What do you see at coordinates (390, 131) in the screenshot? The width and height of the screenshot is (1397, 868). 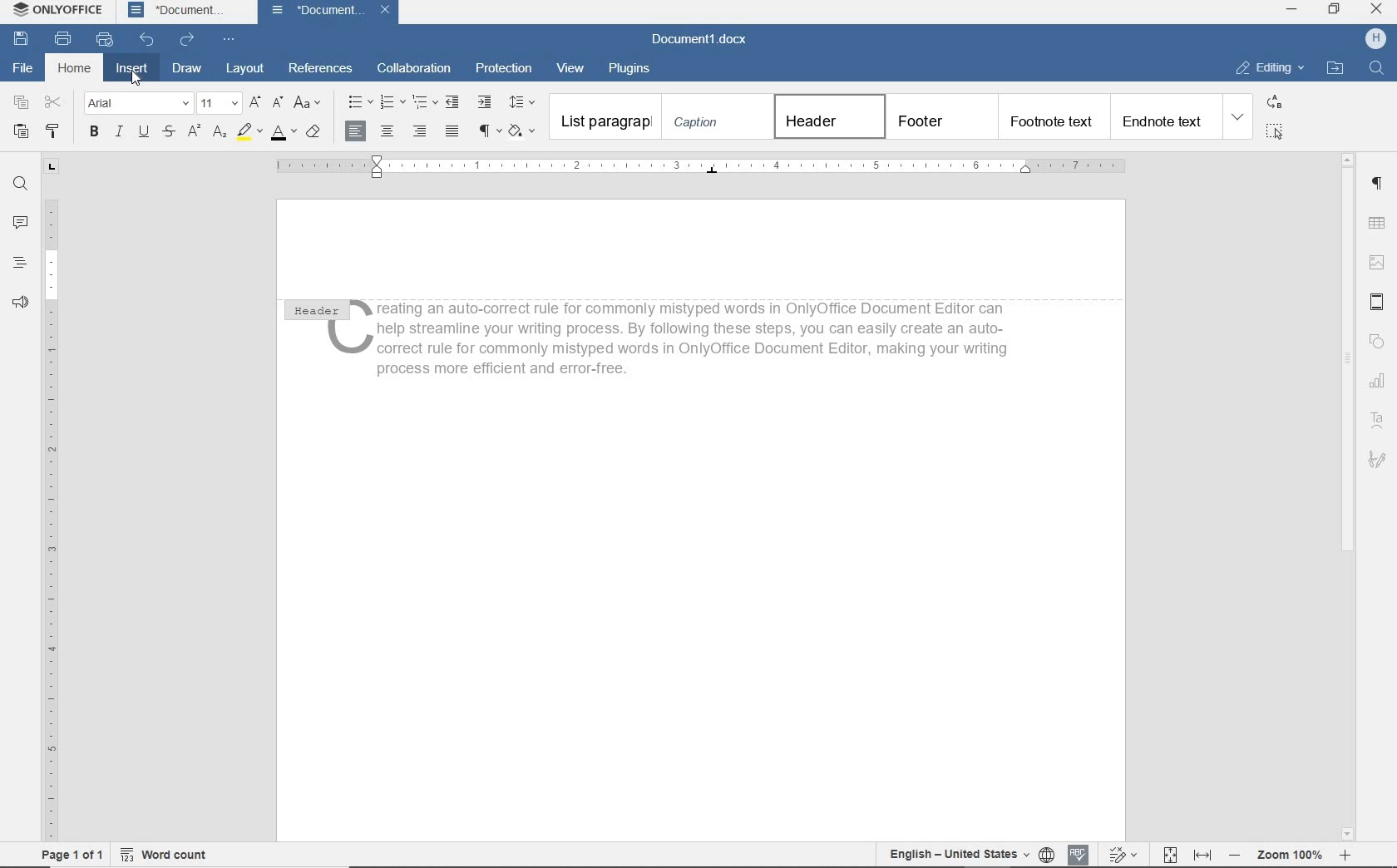 I see `ALIGN CENTER` at bounding box center [390, 131].